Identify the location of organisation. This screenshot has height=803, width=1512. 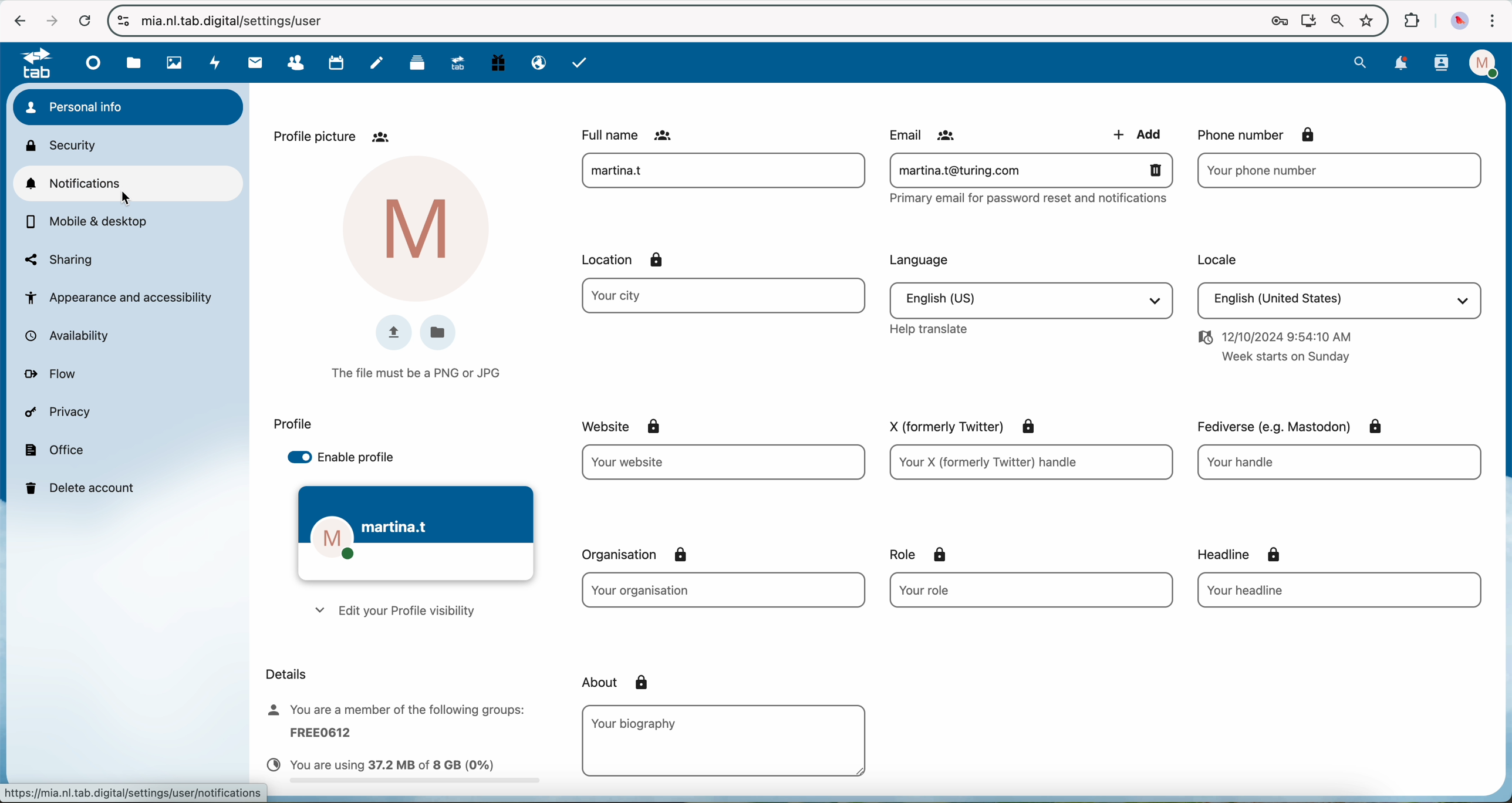
(725, 591).